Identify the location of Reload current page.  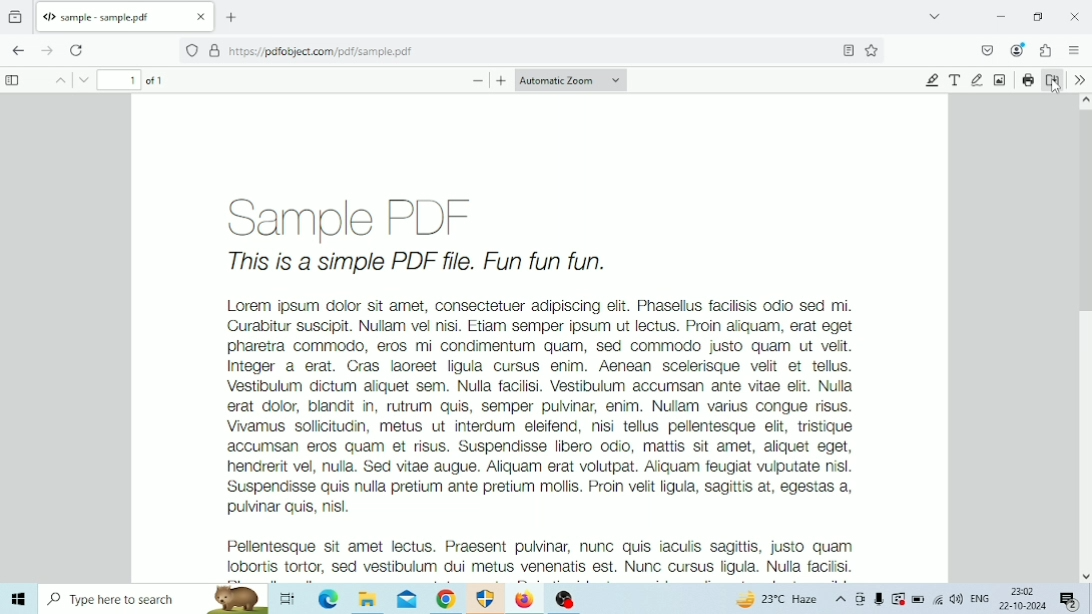
(76, 51).